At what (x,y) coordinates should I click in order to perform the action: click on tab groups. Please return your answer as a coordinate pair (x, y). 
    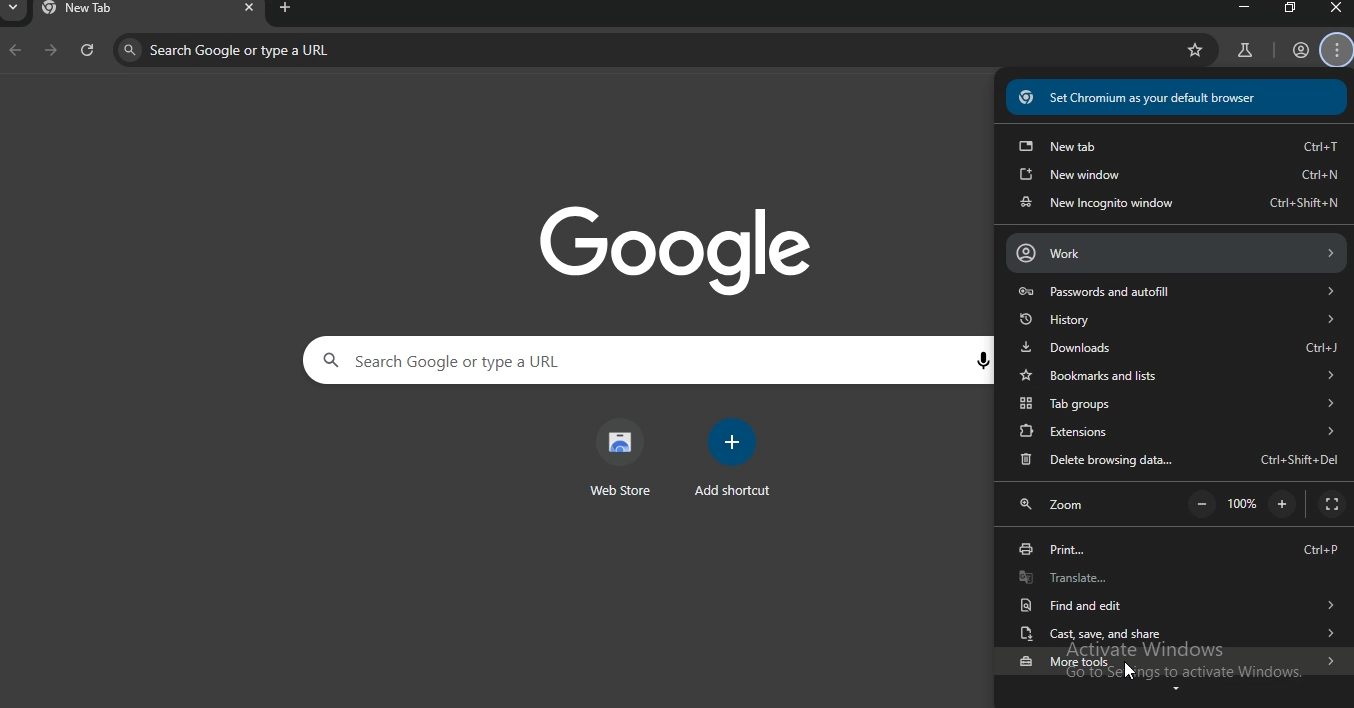
    Looking at the image, I should click on (1176, 403).